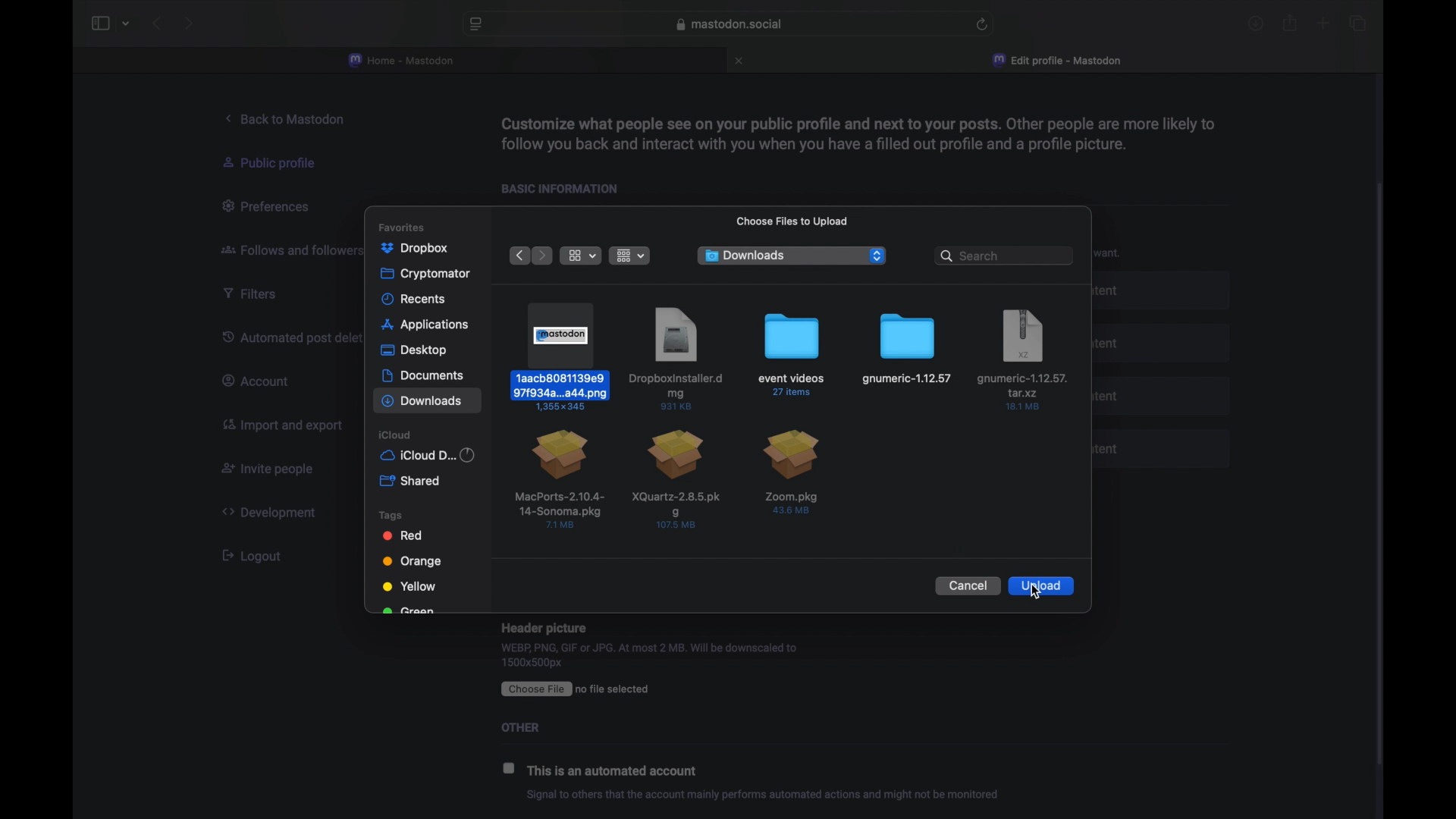 This screenshot has width=1456, height=819. What do you see at coordinates (403, 535) in the screenshot?
I see `red` at bounding box center [403, 535].